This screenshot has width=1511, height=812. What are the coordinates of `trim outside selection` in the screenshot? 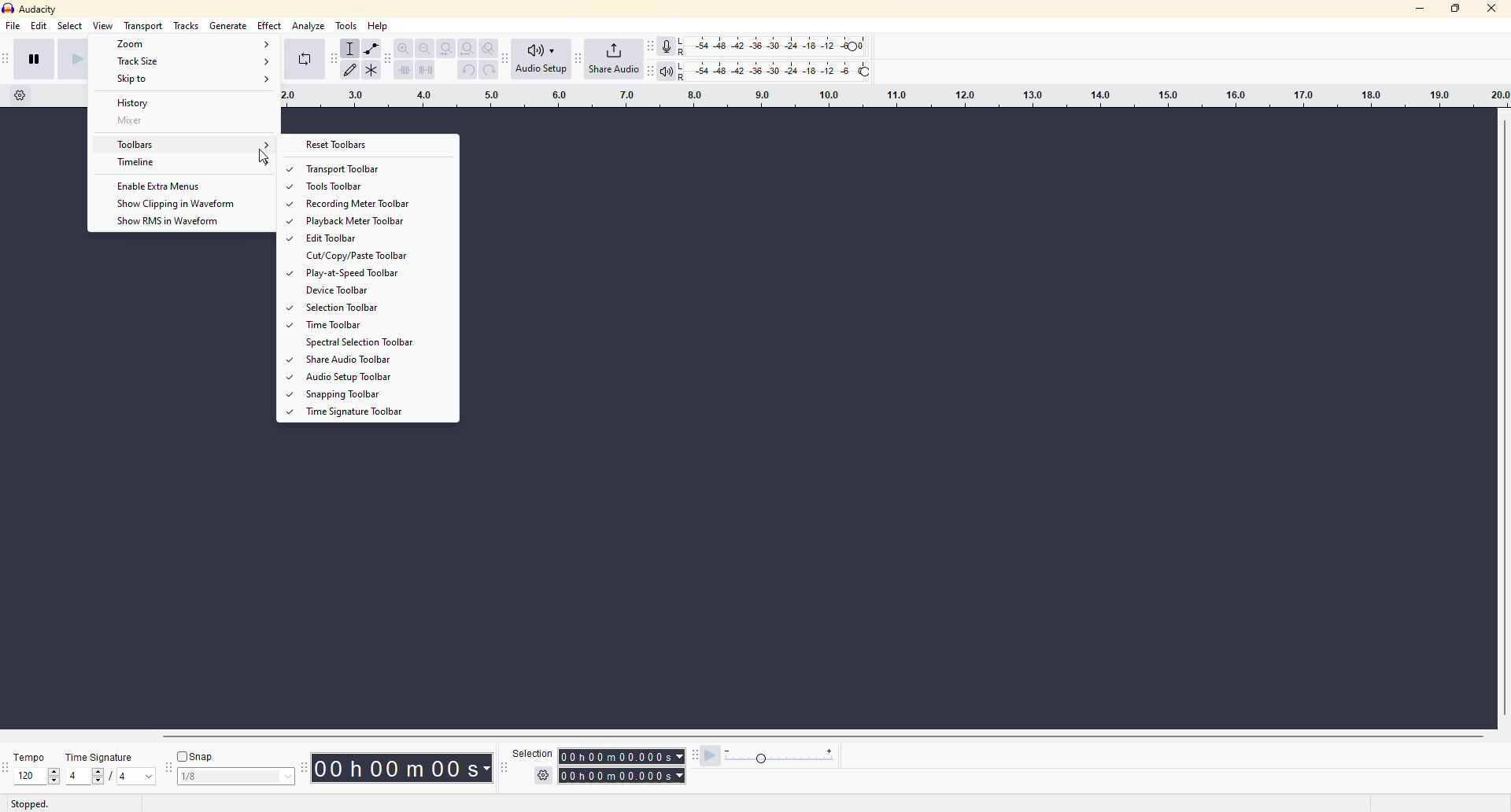 It's located at (405, 72).